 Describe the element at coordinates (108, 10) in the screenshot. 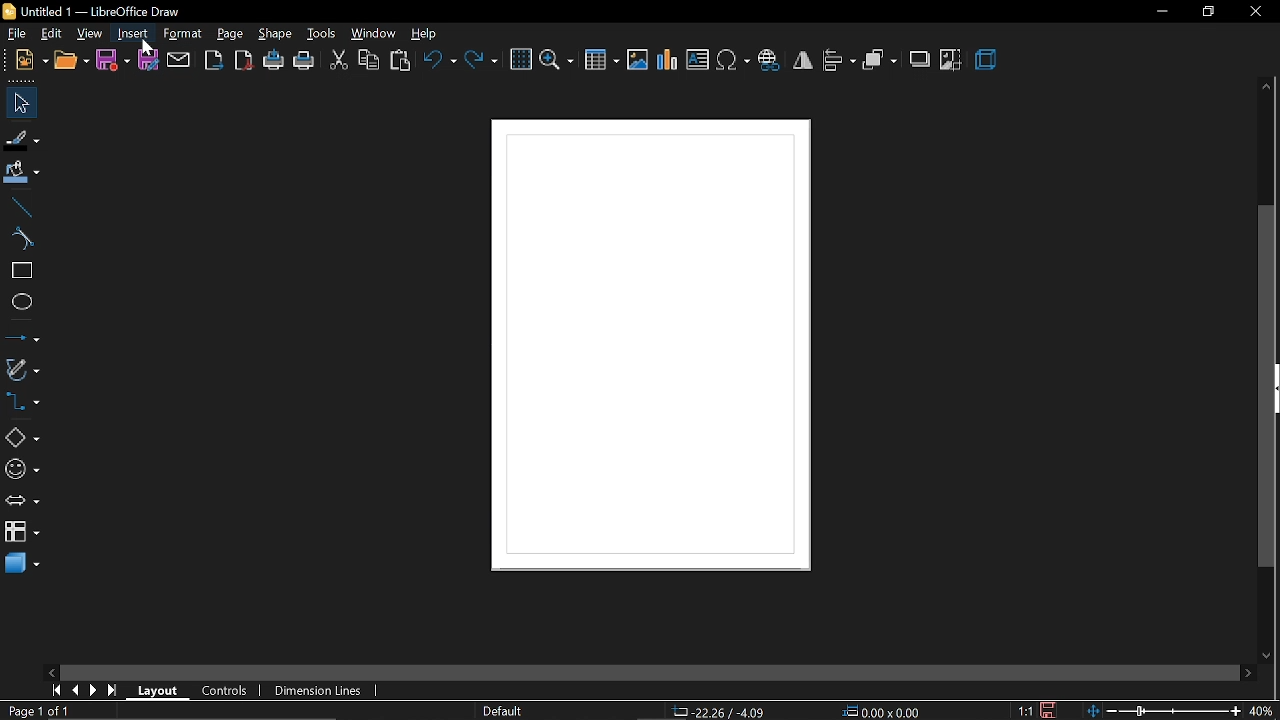

I see `untitled 1- libreoffice draw` at that location.